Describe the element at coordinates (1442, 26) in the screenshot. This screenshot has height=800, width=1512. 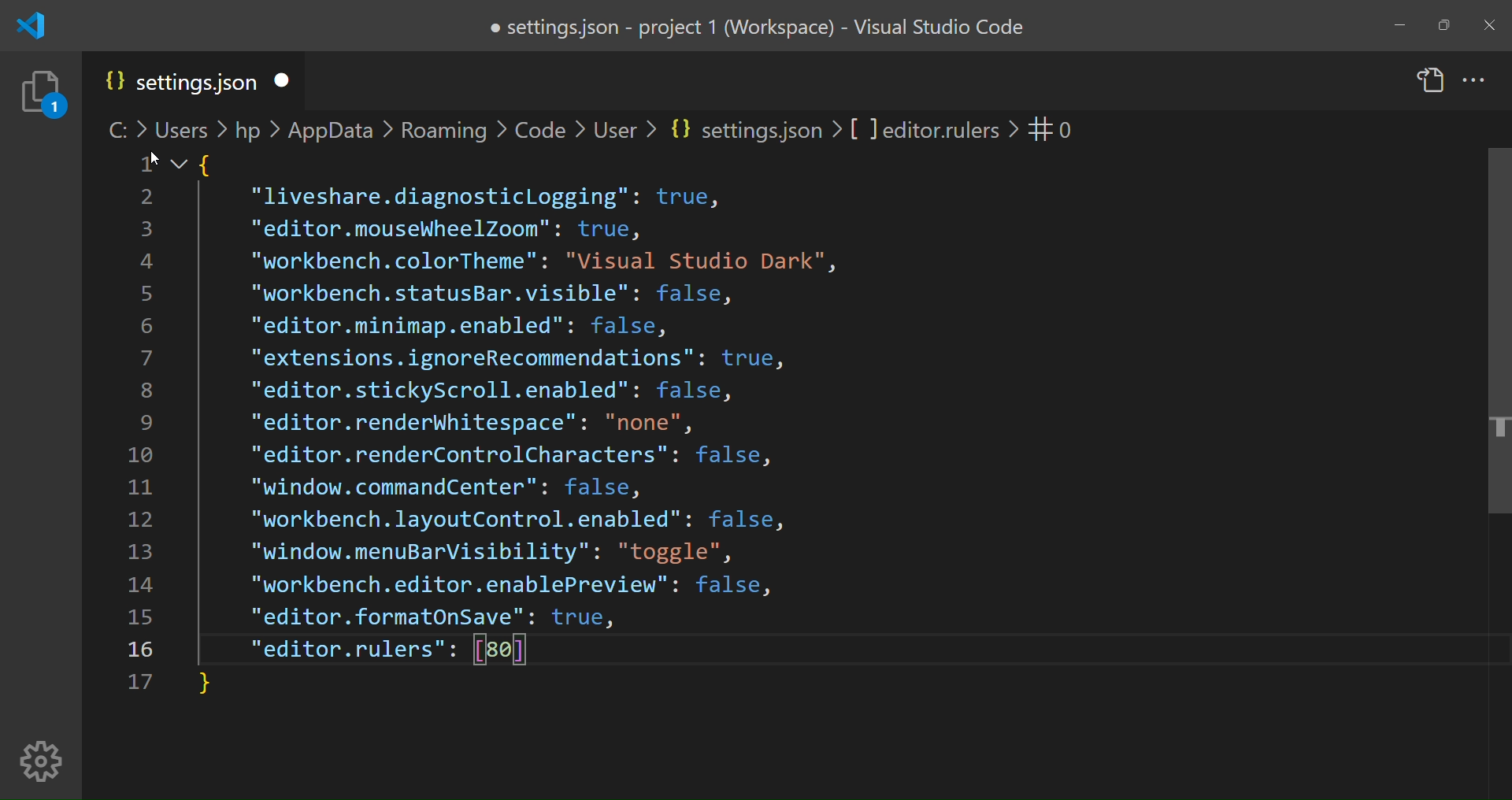
I see `maximize` at that location.